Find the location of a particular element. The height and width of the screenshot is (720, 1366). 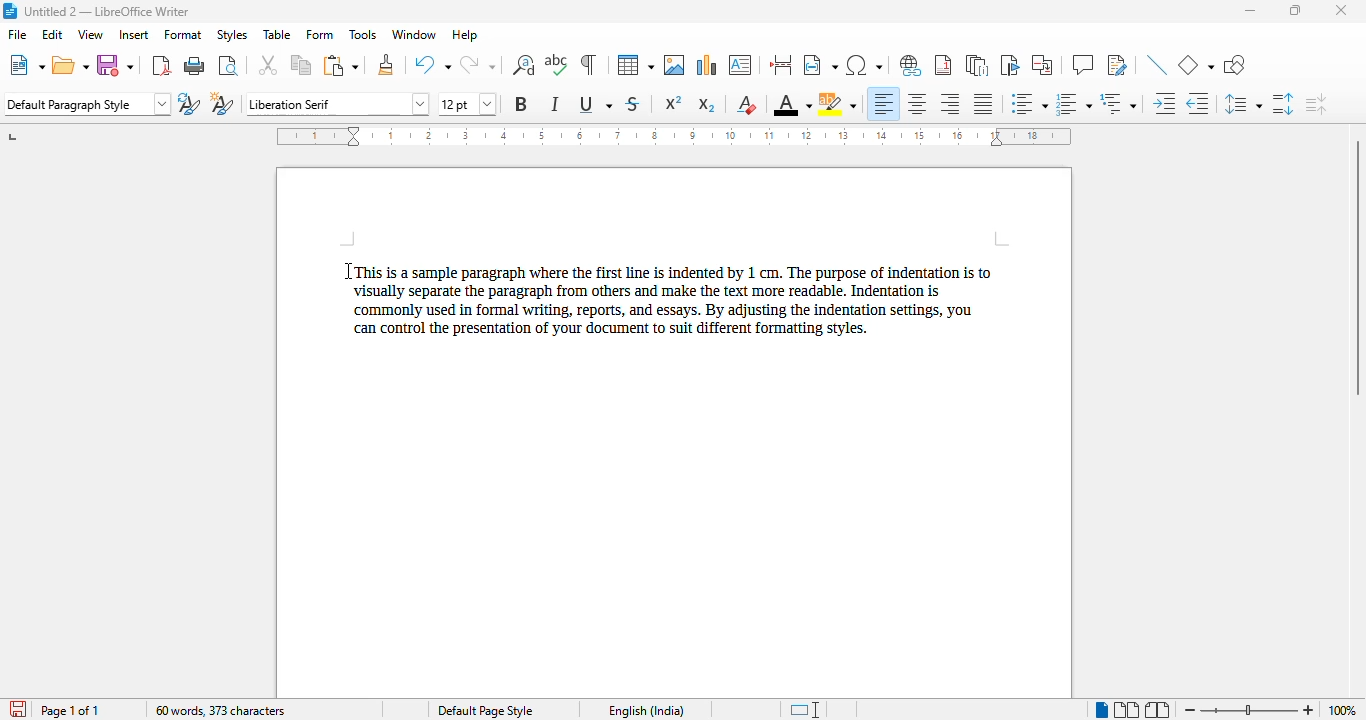

bold is located at coordinates (521, 104).